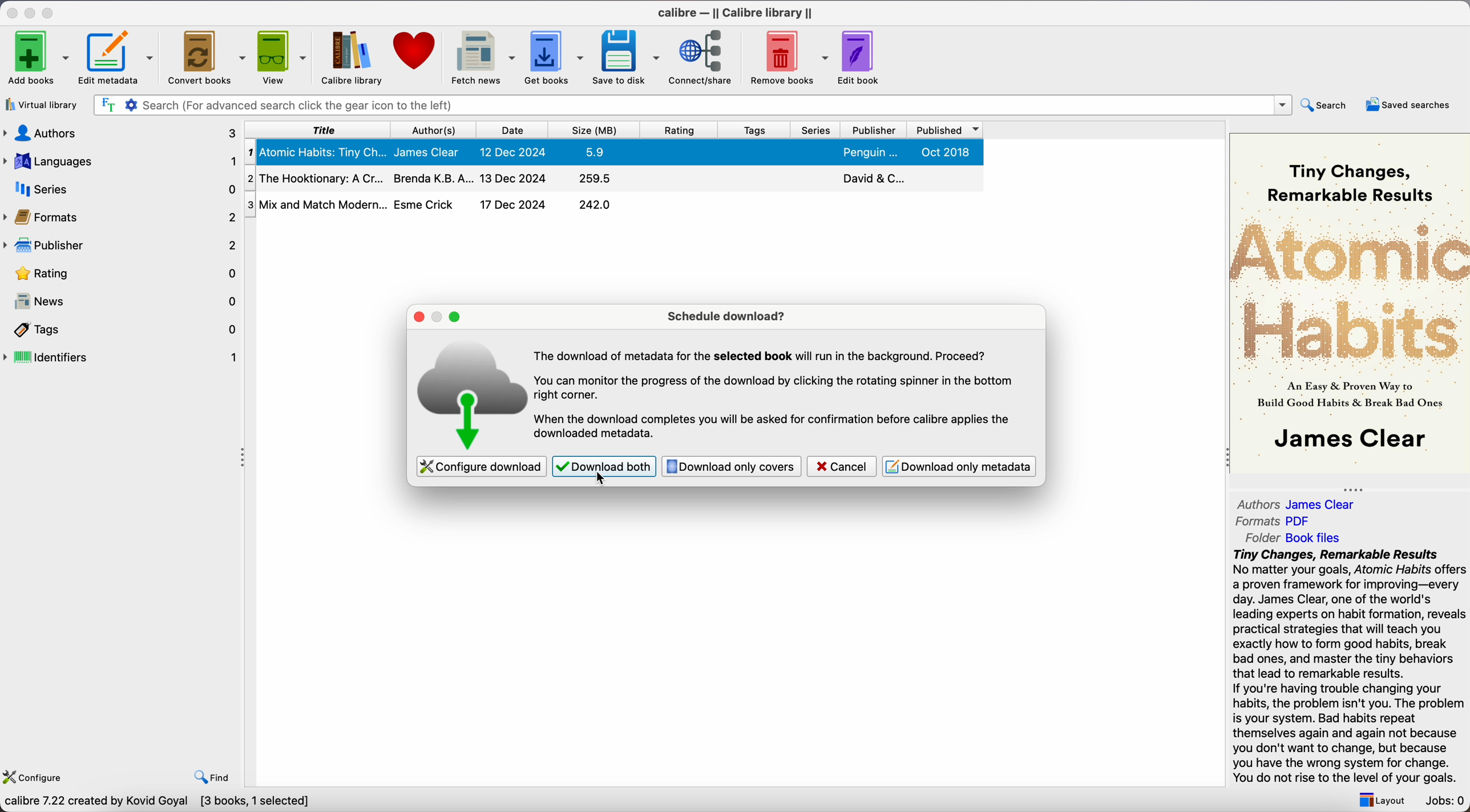 The width and height of the screenshot is (1470, 812). Describe the element at coordinates (1299, 503) in the screenshot. I see `Authors James Clear` at that location.